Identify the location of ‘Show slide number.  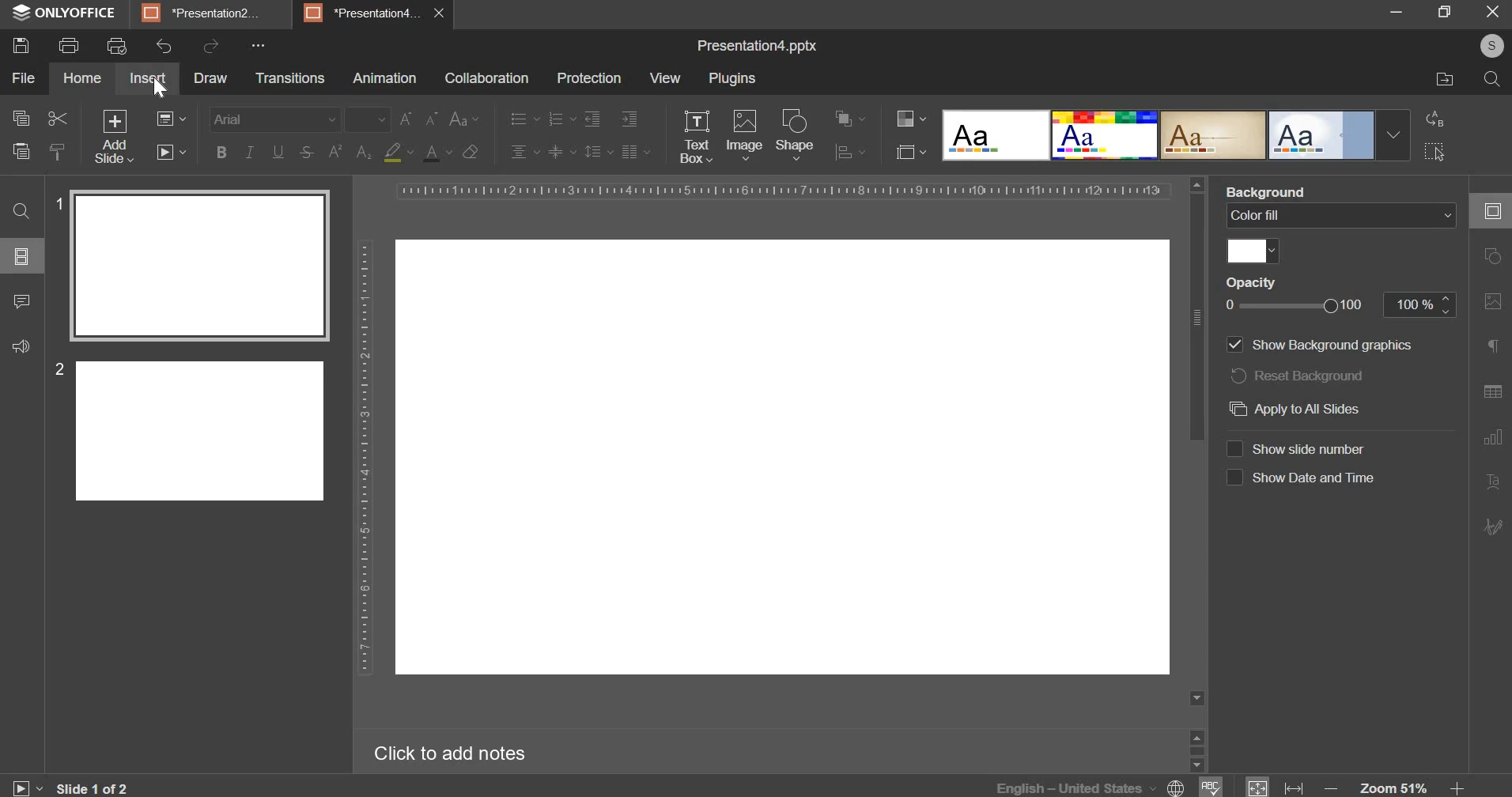
(1314, 449).